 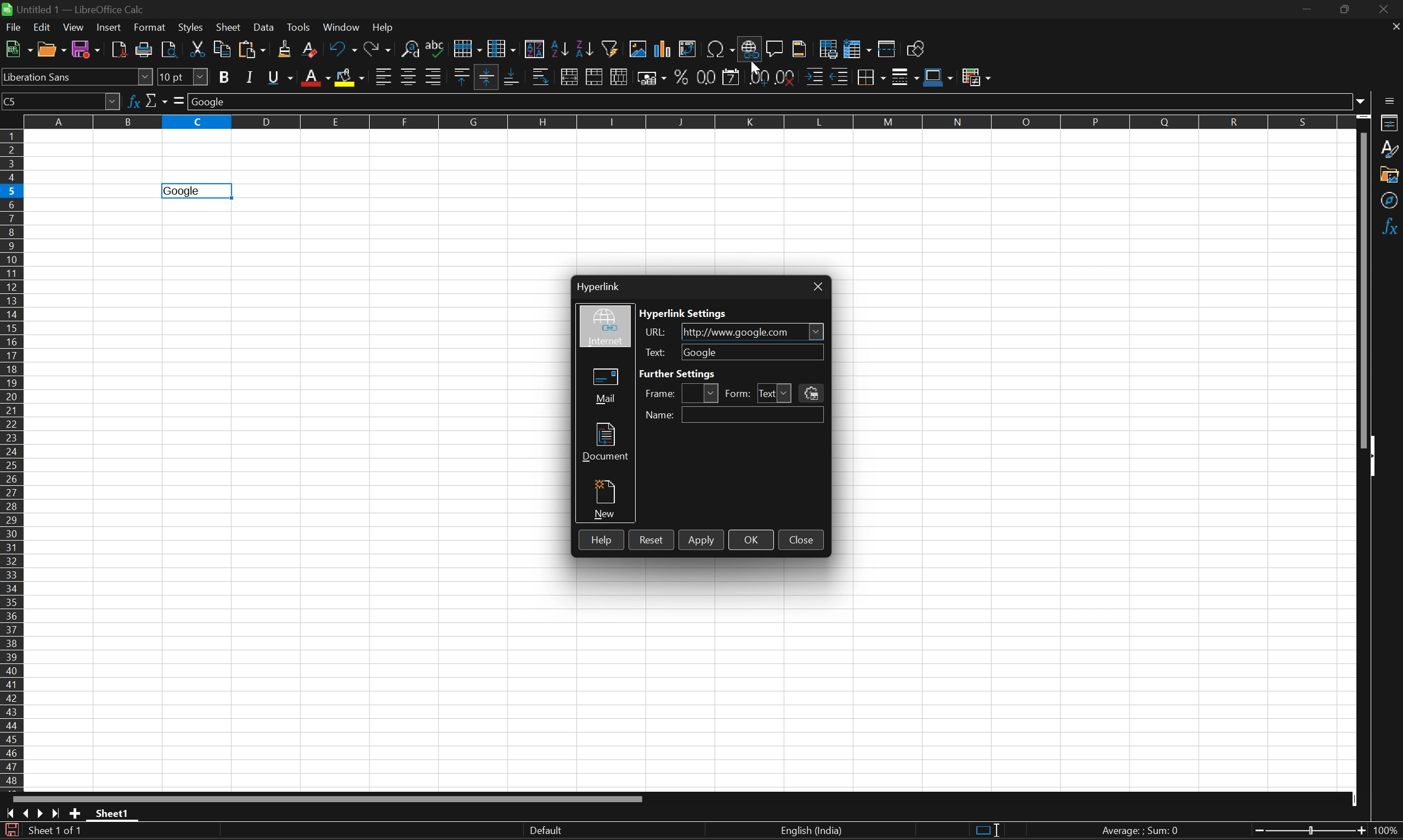 I want to click on Close, so click(x=1387, y=10).